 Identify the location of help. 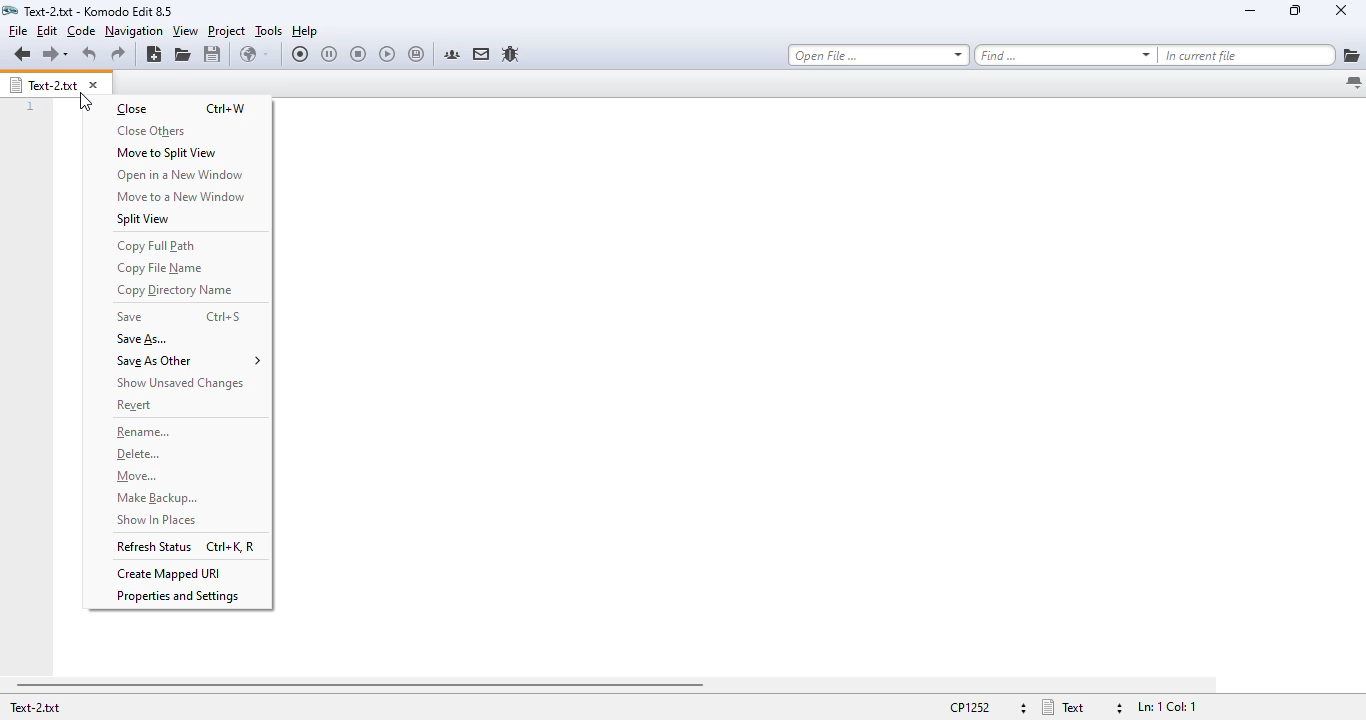
(305, 32).